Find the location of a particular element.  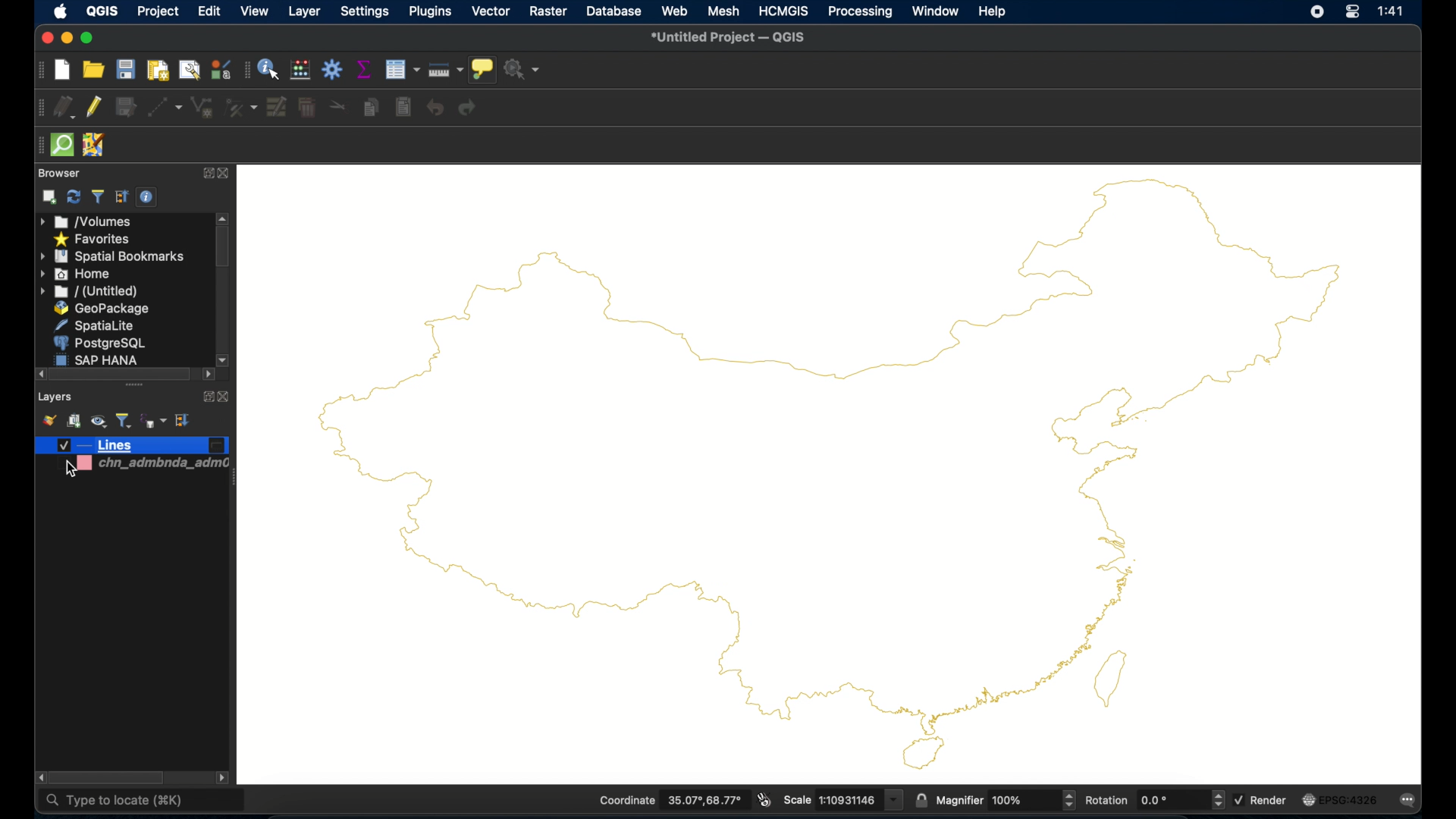

paste features is located at coordinates (405, 108).